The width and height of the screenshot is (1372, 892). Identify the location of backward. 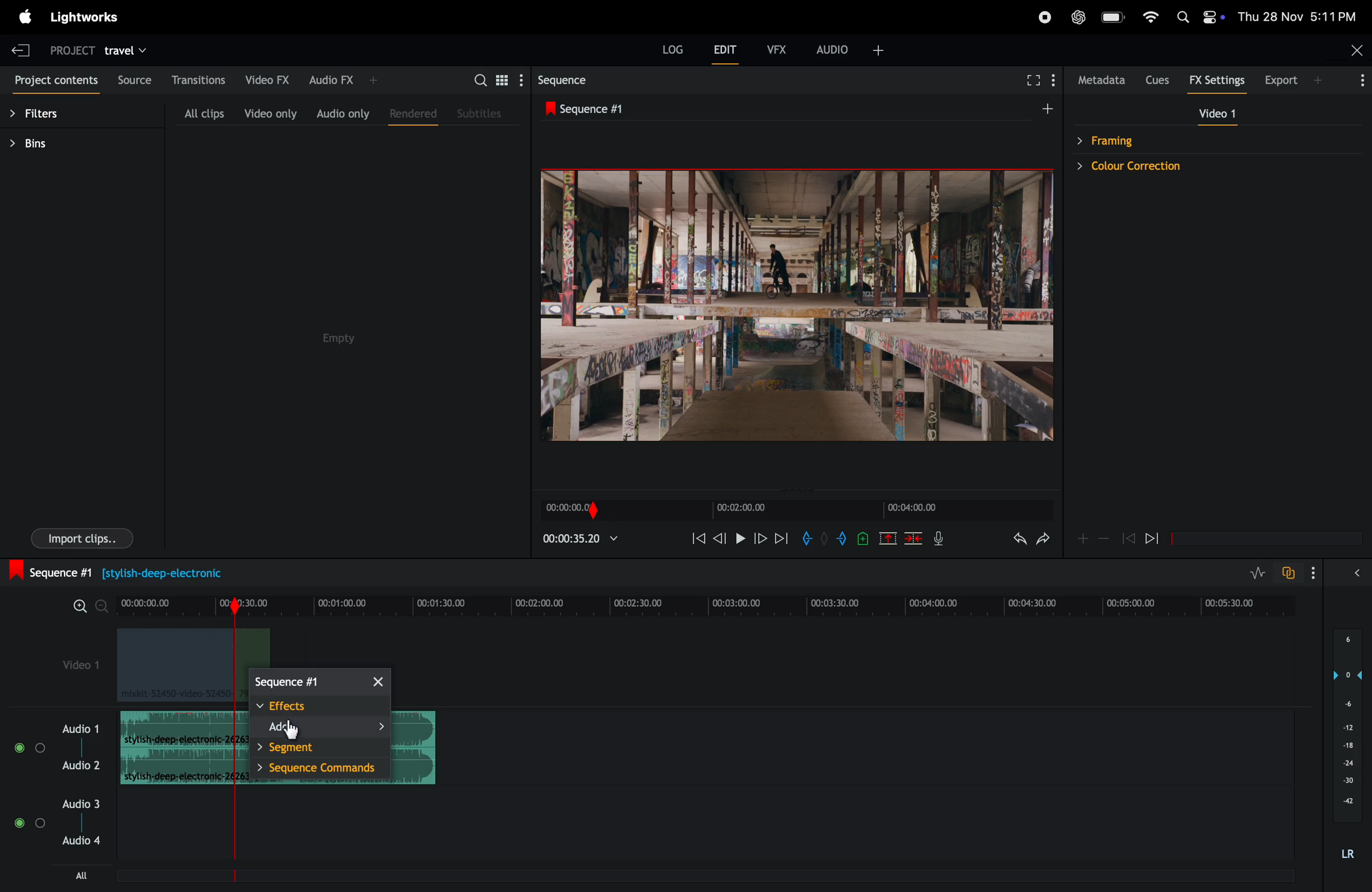
(720, 540).